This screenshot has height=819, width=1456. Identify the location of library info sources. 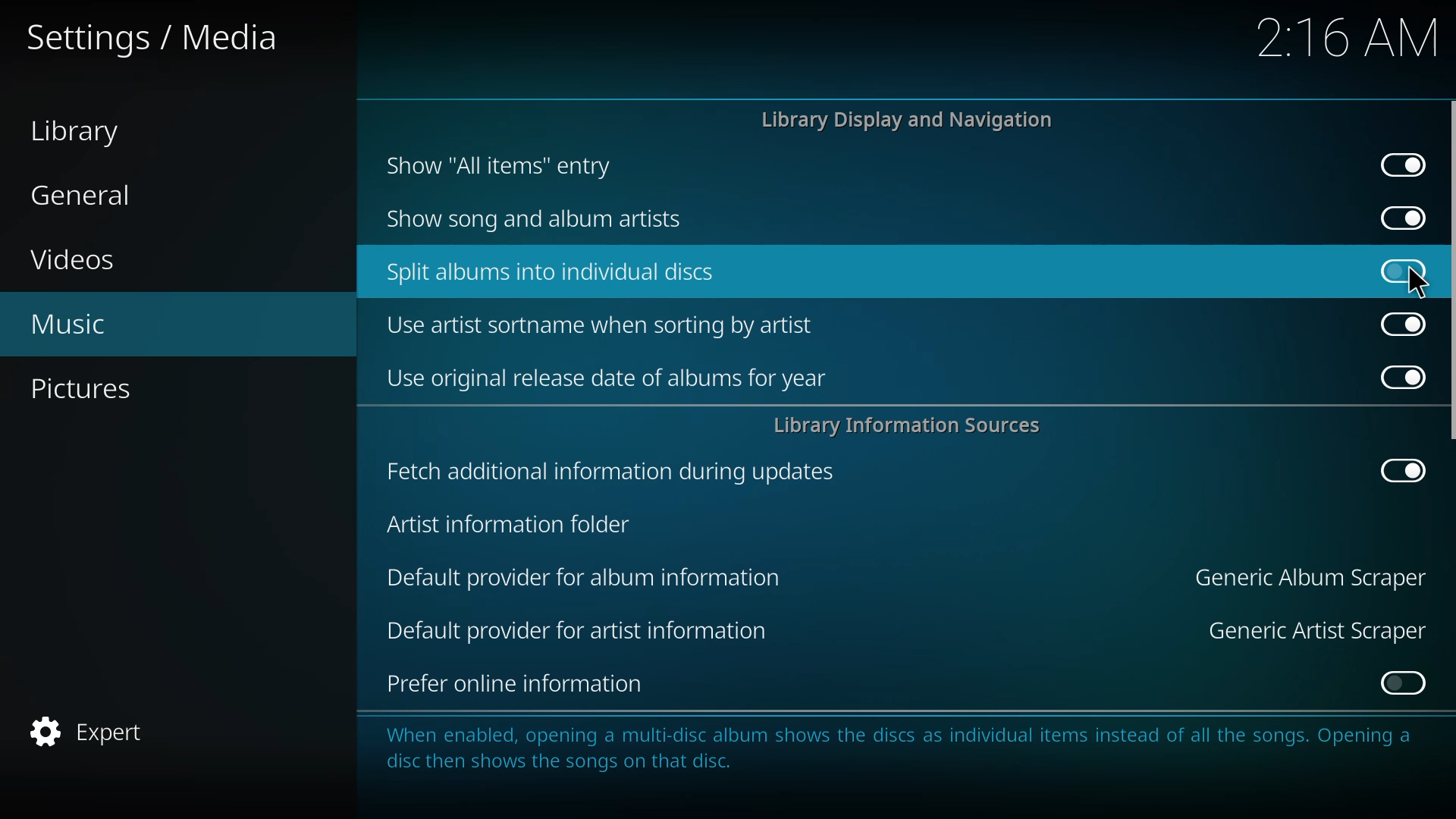
(915, 425).